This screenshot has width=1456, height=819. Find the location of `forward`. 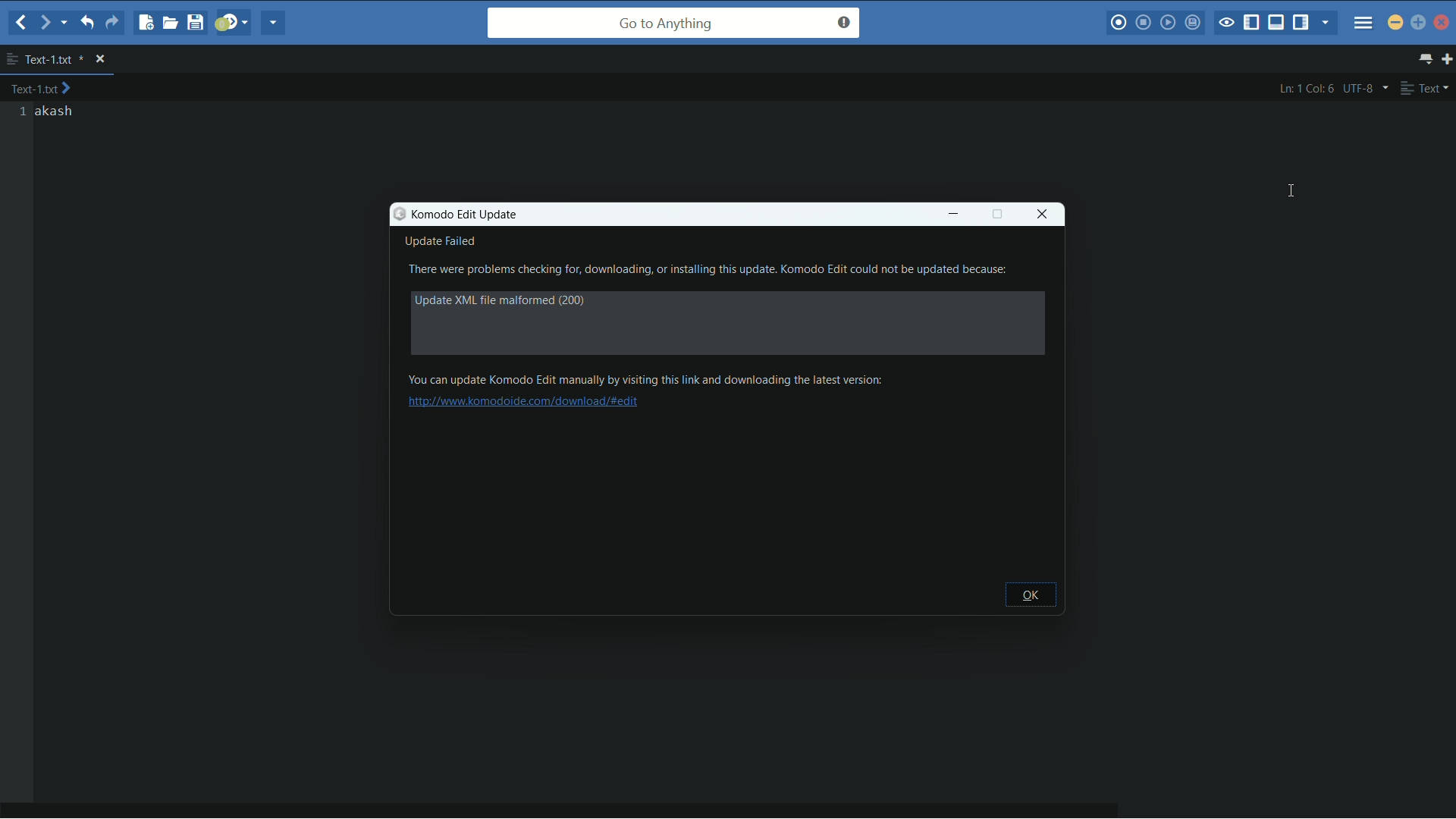

forward is located at coordinates (45, 24).